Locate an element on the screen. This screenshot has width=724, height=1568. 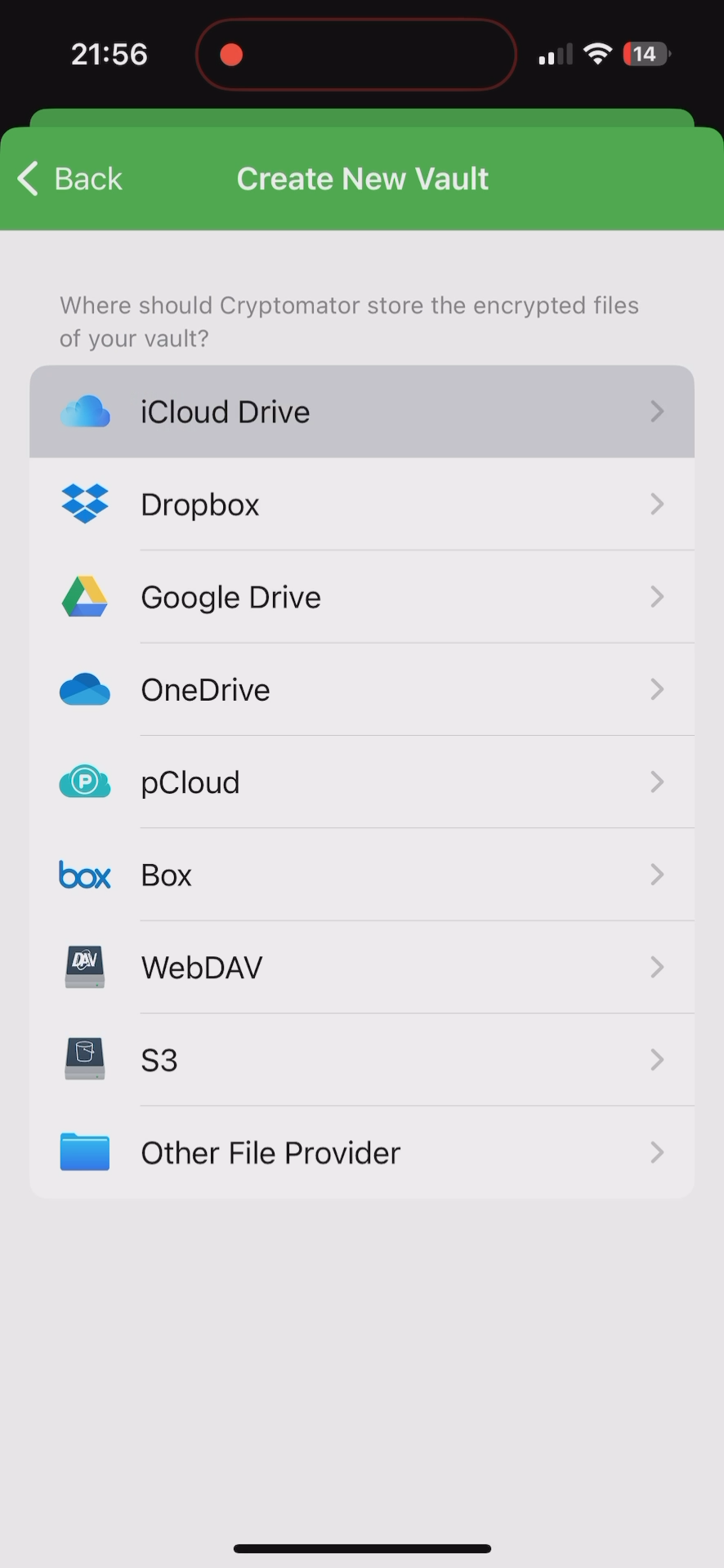
dropbox is located at coordinates (363, 507).